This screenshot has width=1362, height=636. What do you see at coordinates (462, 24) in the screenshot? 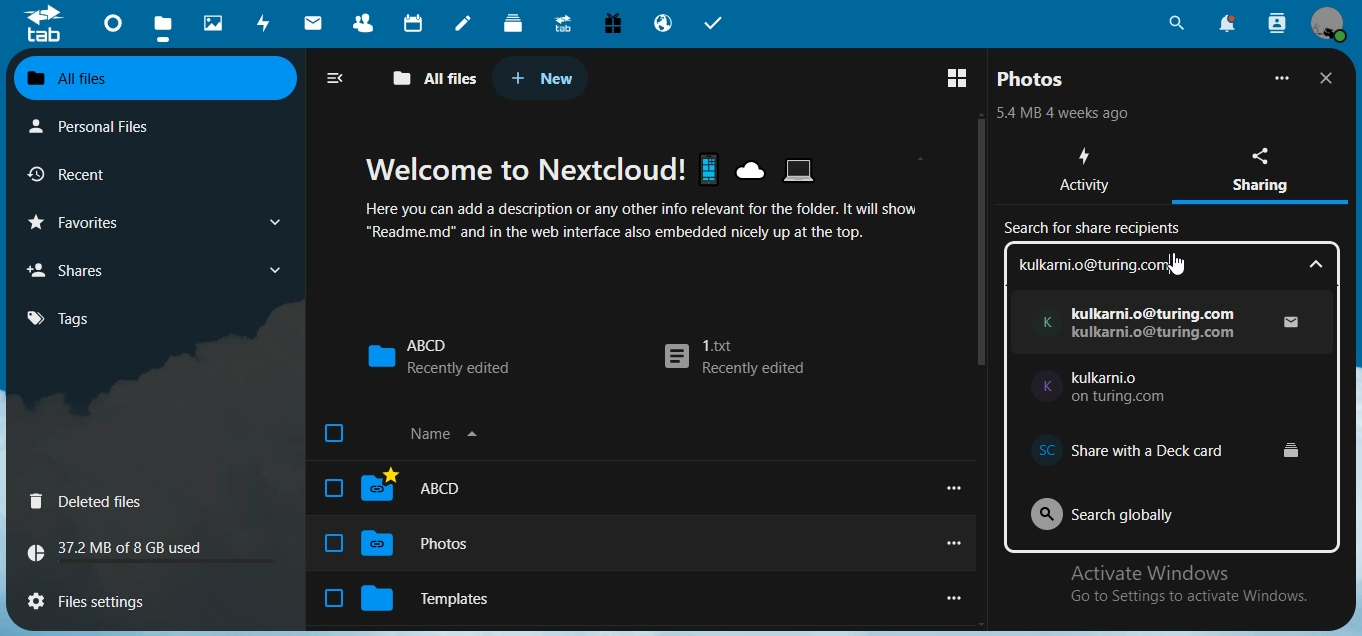
I see `notes` at bounding box center [462, 24].